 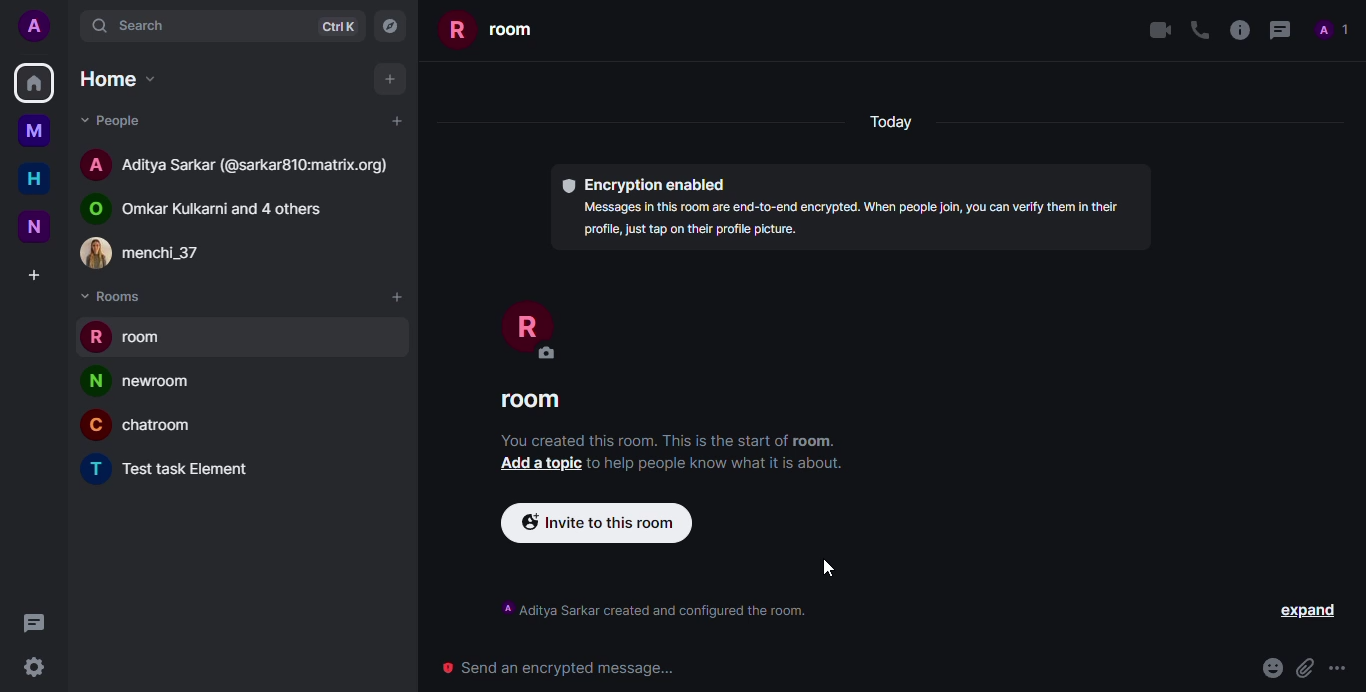 What do you see at coordinates (37, 178) in the screenshot?
I see `home` at bounding box center [37, 178].